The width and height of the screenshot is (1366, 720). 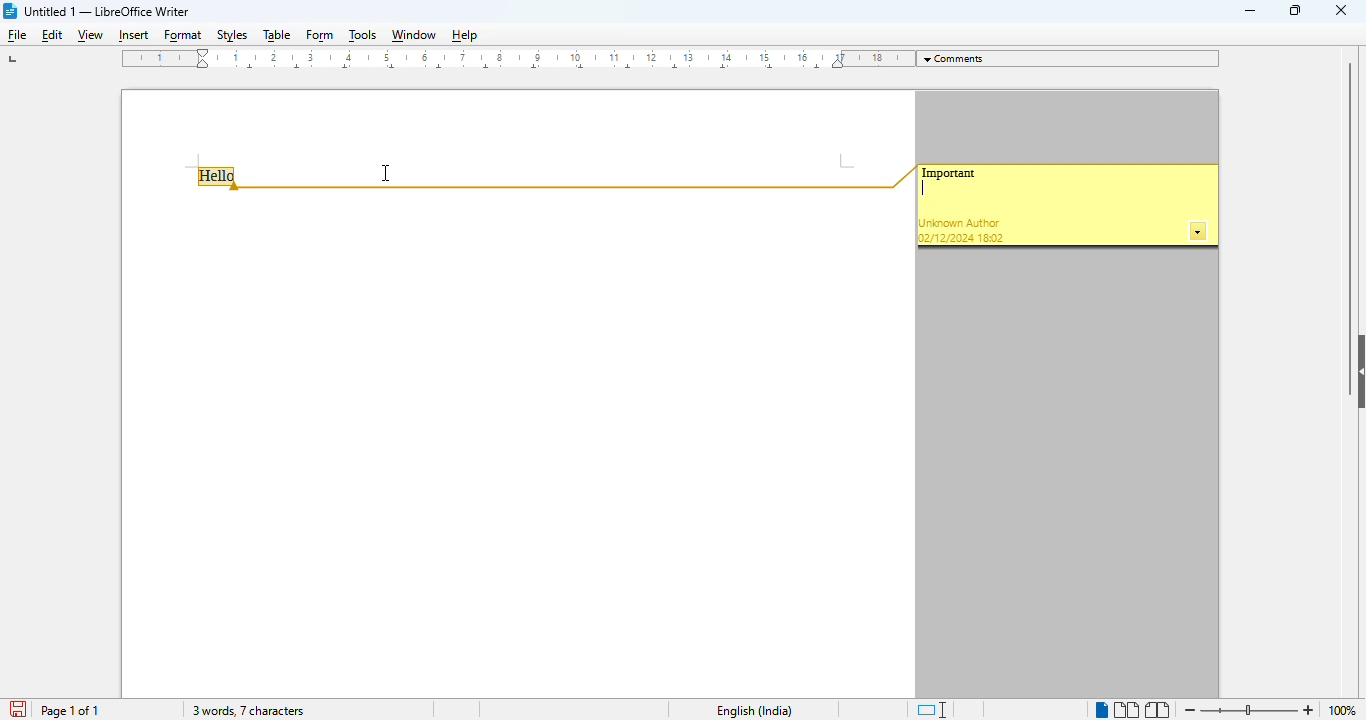 I want to click on Comments menu, so click(x=1071, y=58).